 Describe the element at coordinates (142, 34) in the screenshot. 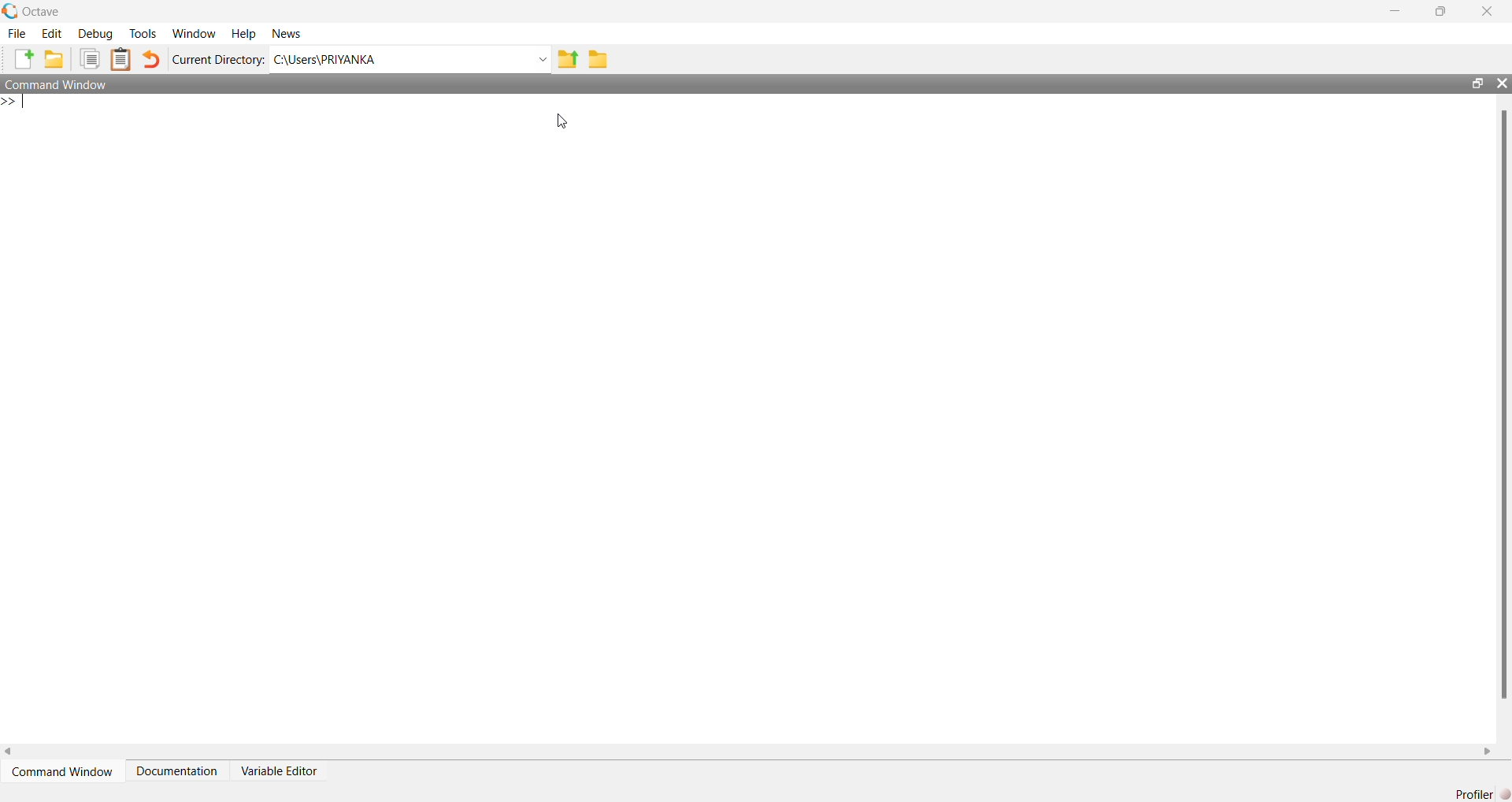

I see `tools` at that location.